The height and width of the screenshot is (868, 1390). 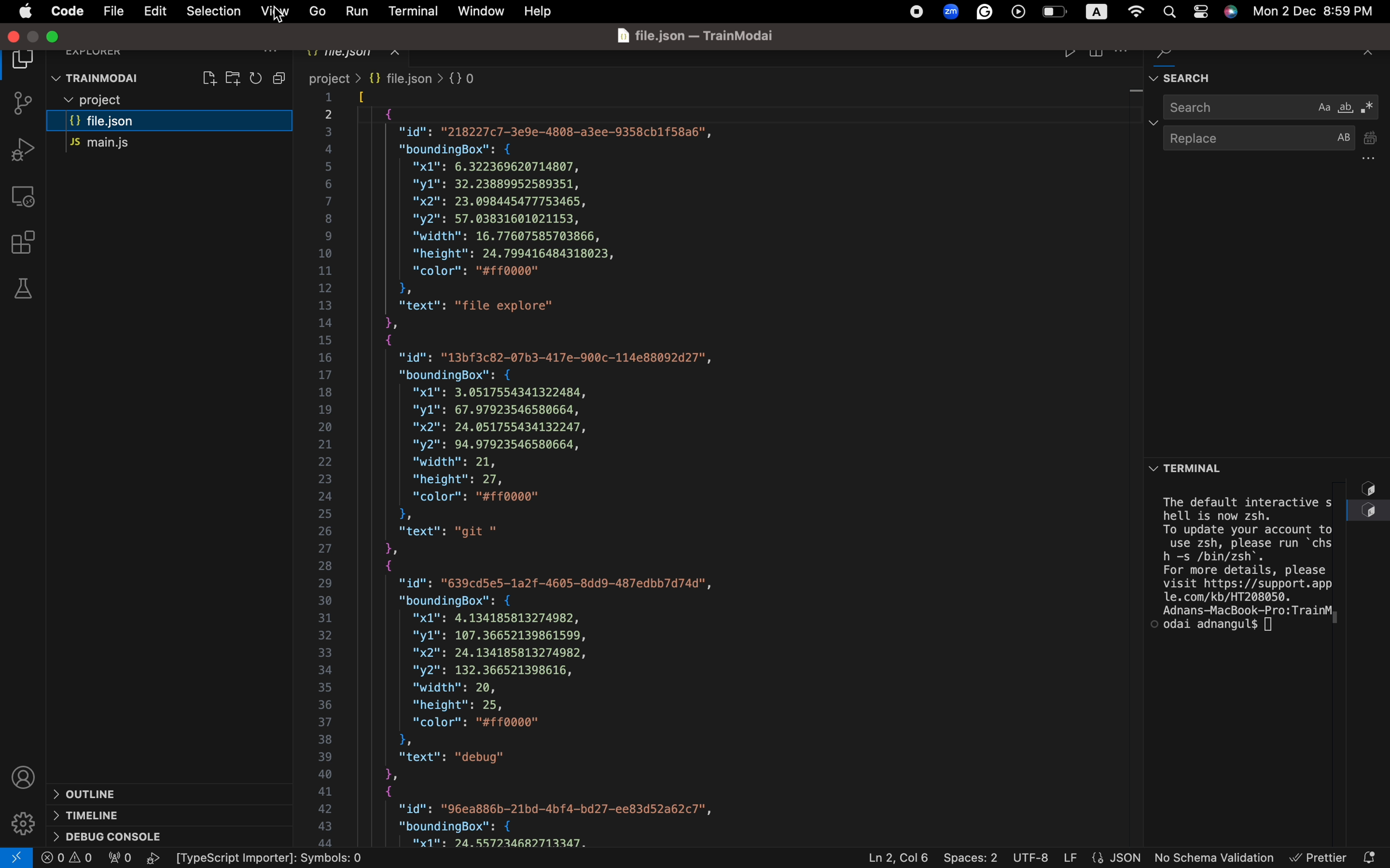 What do you see at coordinates (115, 13) in the screenshot?
I see `file` at bounding box center [115, 13].